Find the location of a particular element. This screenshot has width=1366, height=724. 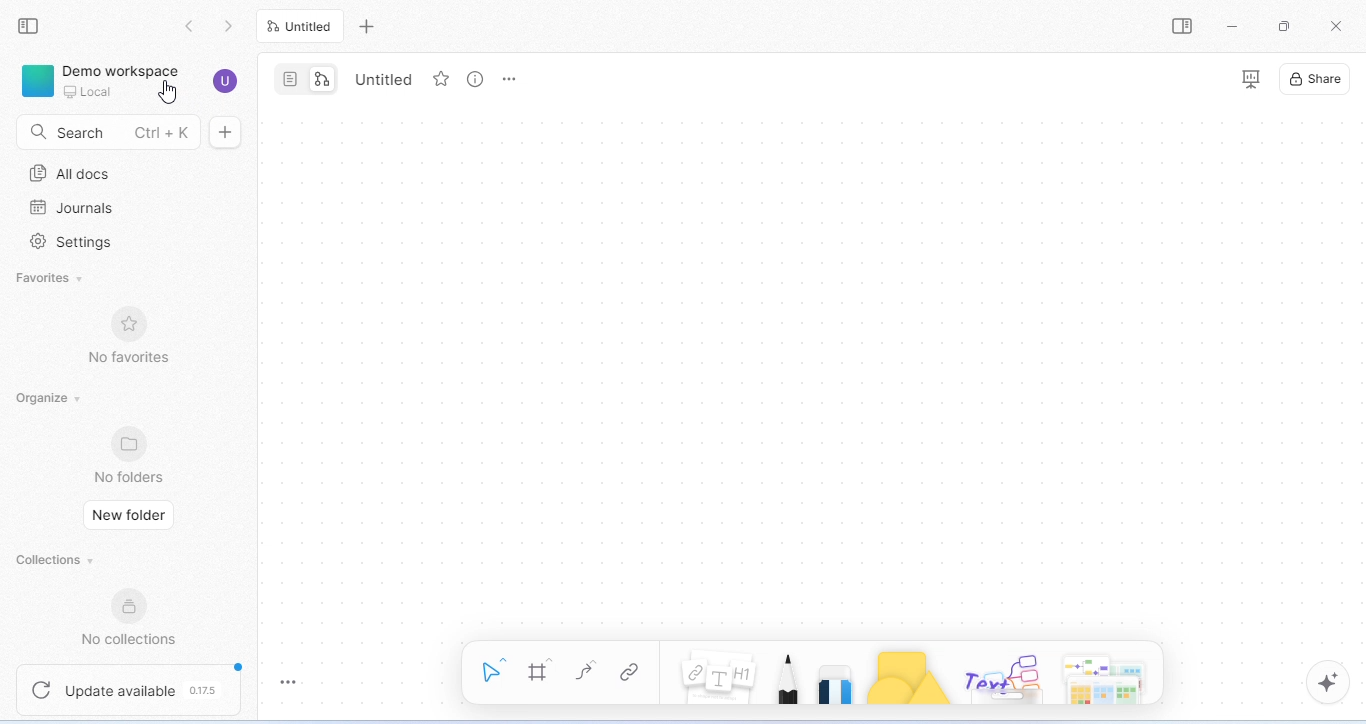

untitled is located at coordinates (304, 28).